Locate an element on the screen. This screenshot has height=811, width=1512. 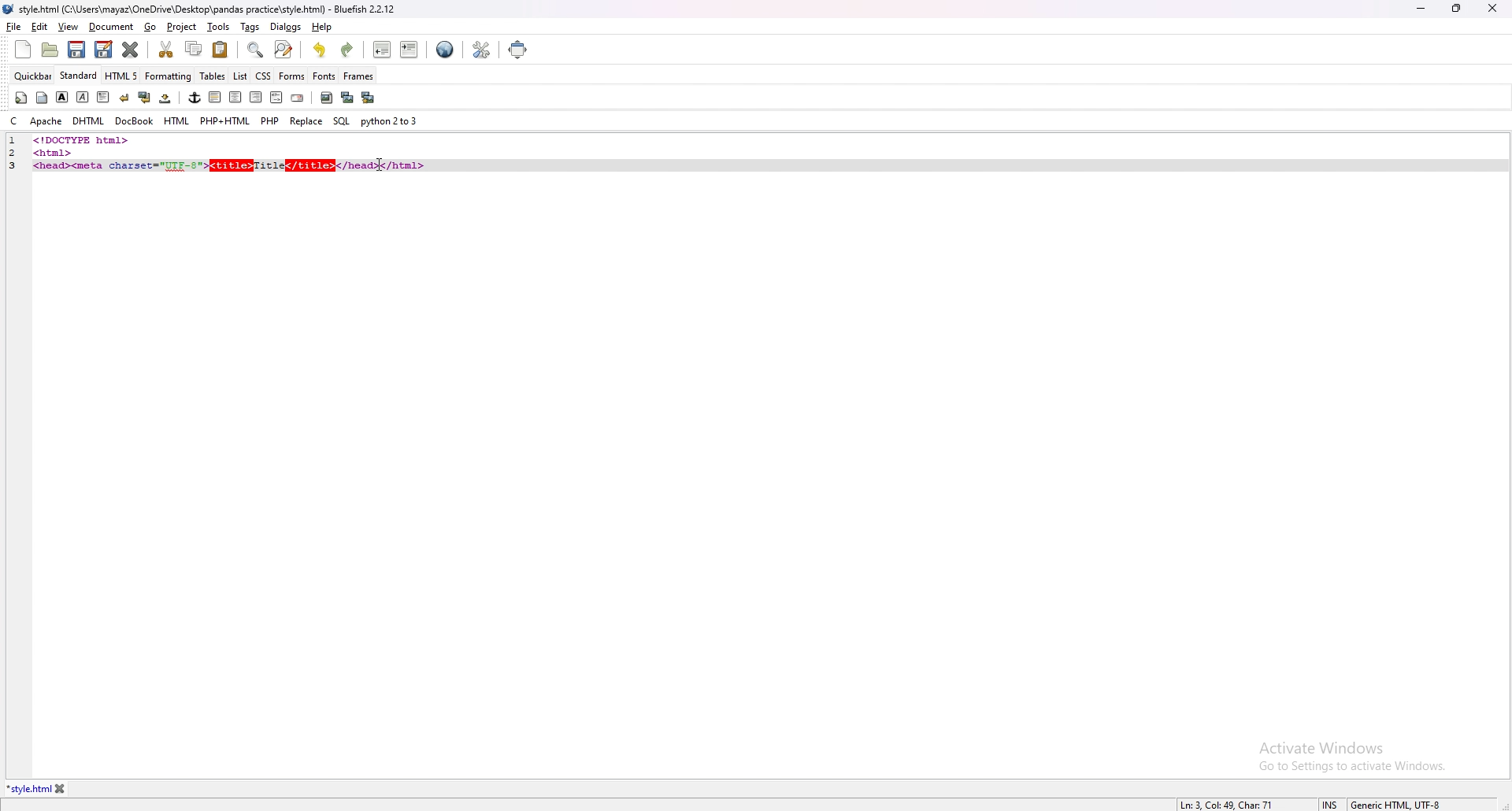
save as is located at coordinates (103, 50).